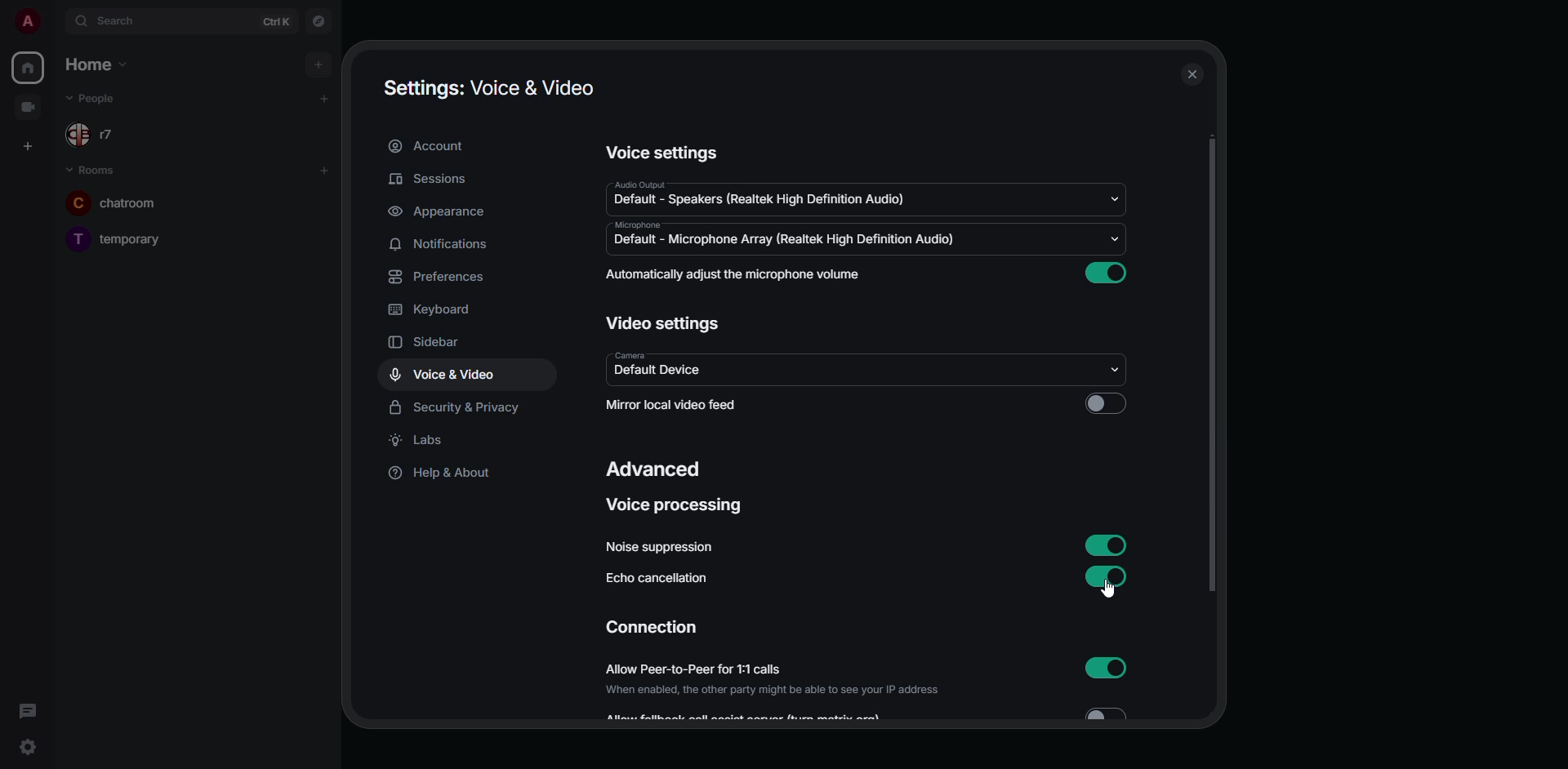 Image resolution: width=1568 pixels, height=769 pixels. I want to click on enabled, so click(1107, 579).